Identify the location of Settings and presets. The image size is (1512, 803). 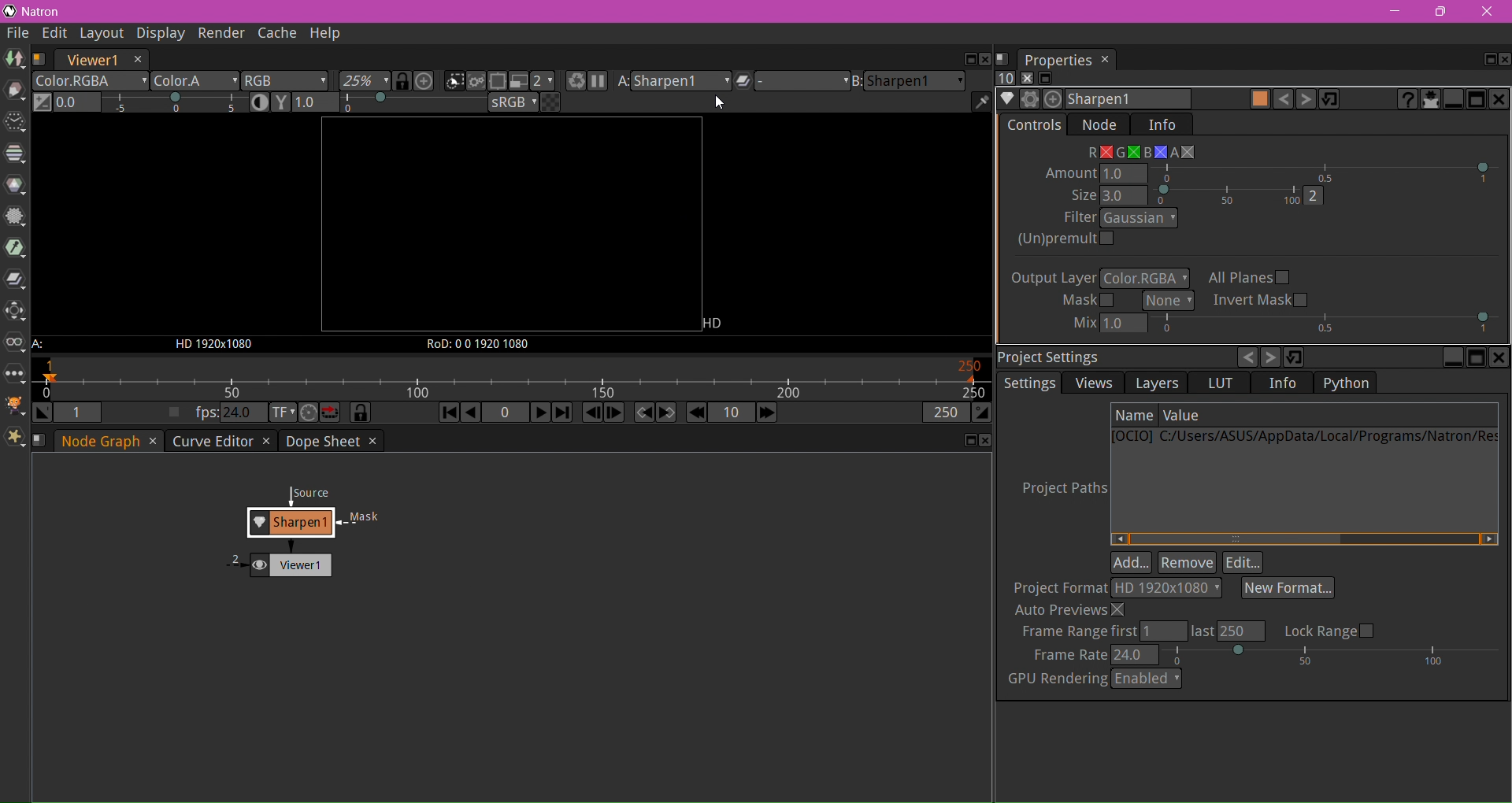
(1031, 100).